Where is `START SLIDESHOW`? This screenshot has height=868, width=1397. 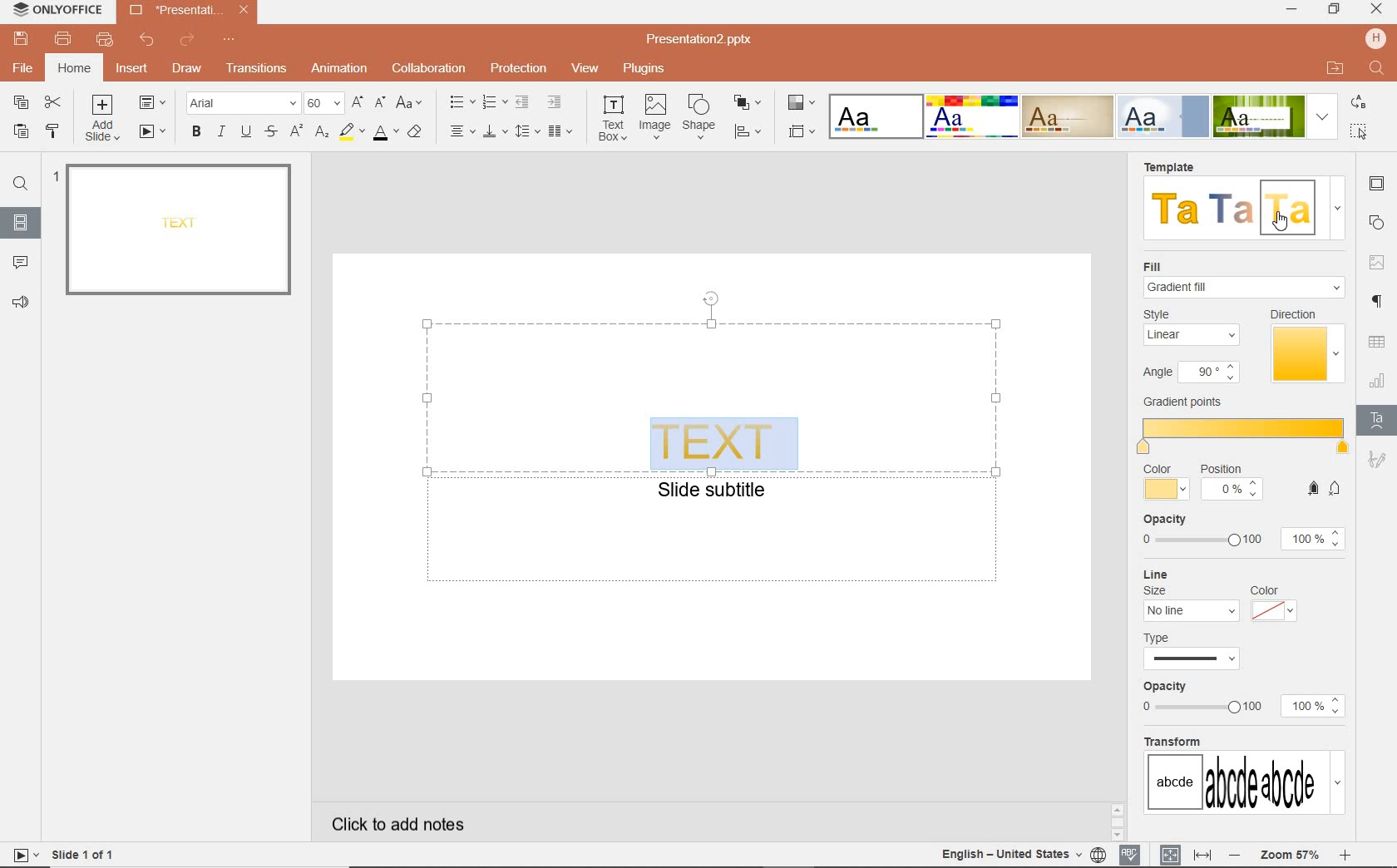 START SLIDESHOW is located at coordinates (152, 133).